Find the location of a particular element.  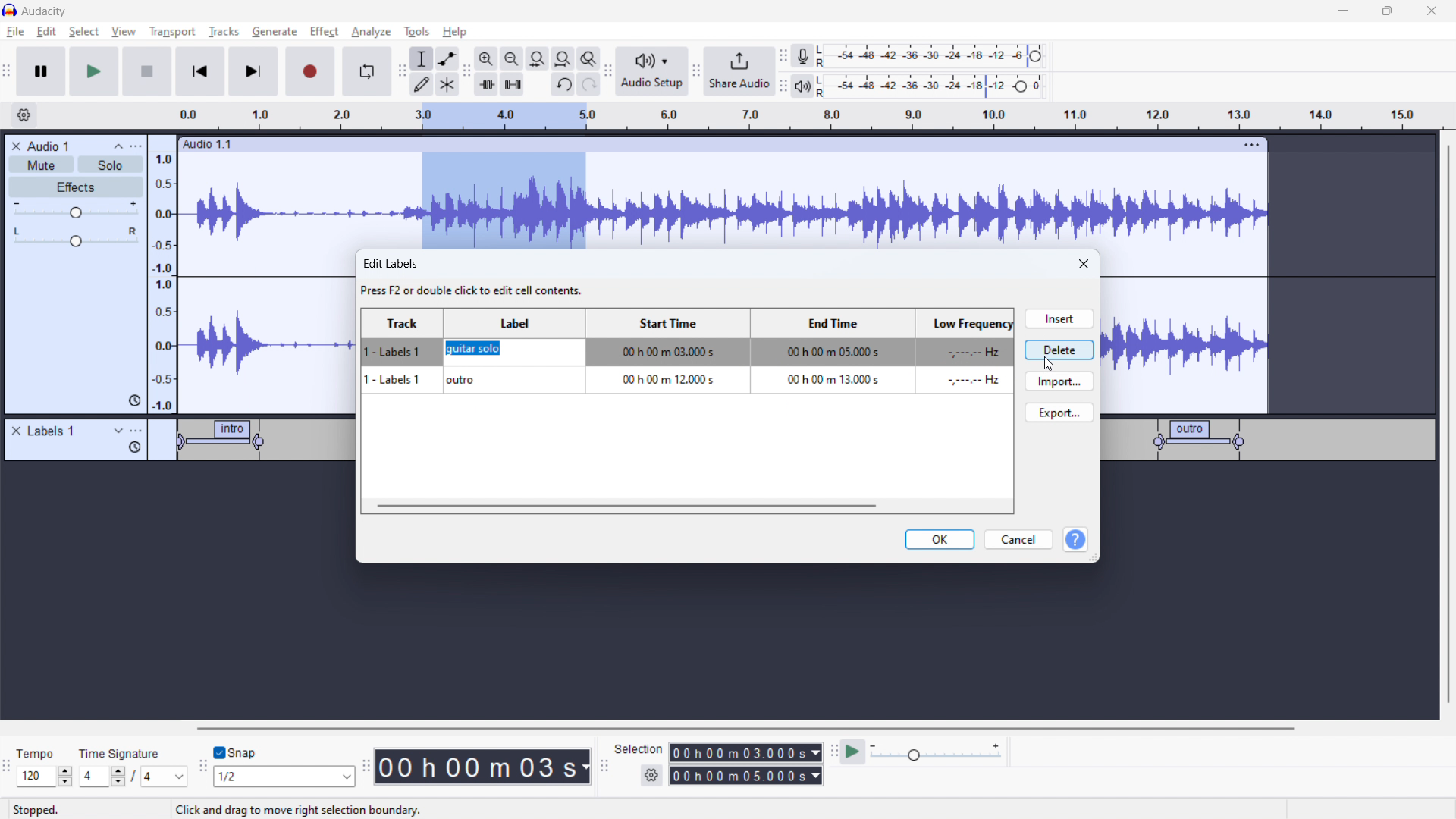

draw tool is located at coordinates (422, 83).